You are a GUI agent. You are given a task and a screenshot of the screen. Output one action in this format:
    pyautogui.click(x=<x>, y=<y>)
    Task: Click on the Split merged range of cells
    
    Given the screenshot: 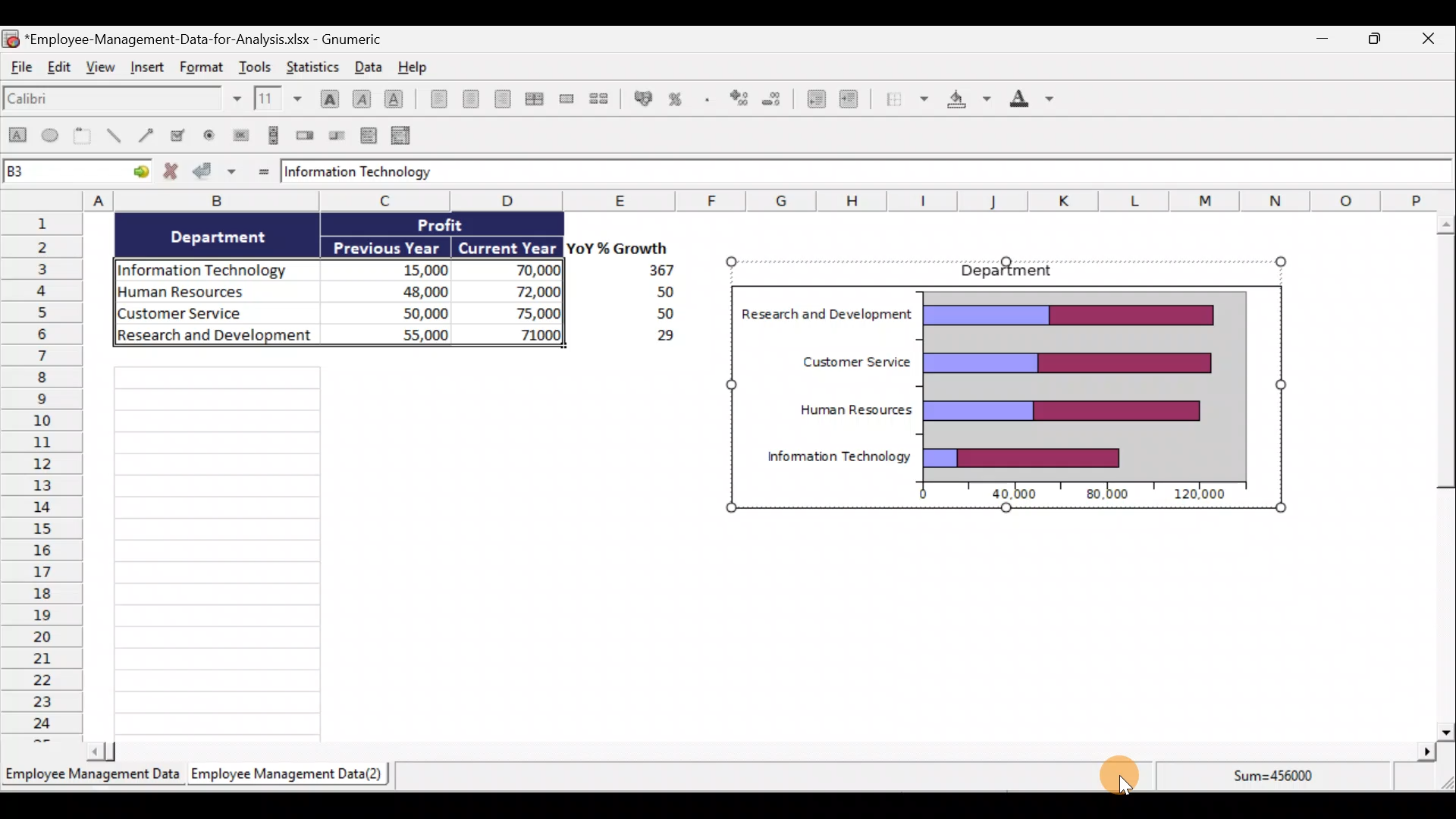 What is the action you would take?
    pyautogui.click(x=599, y=98)
    